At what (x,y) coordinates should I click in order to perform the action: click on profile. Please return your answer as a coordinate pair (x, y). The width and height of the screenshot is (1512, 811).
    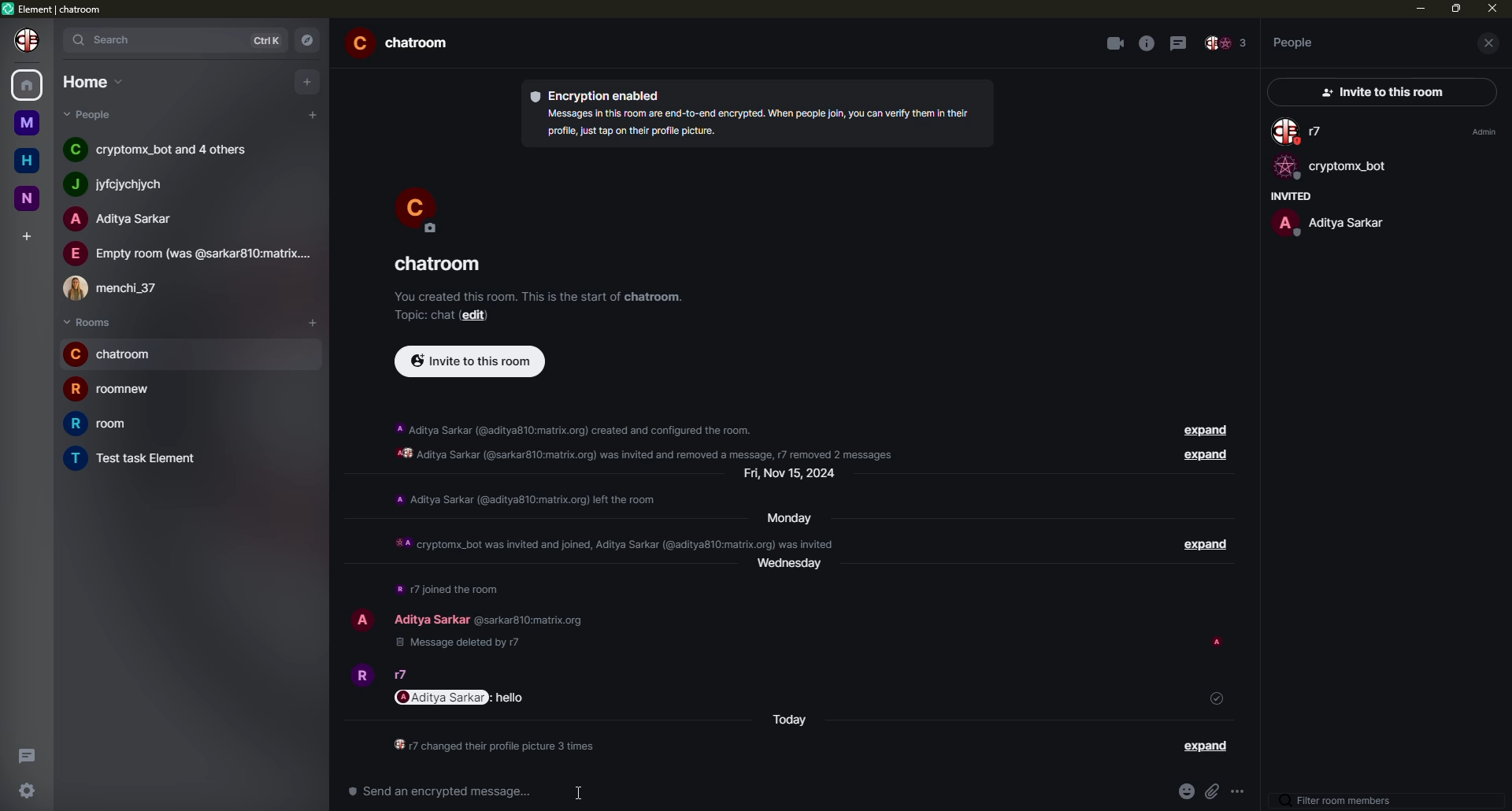
    Looking at the image, I should click on (417, 208).